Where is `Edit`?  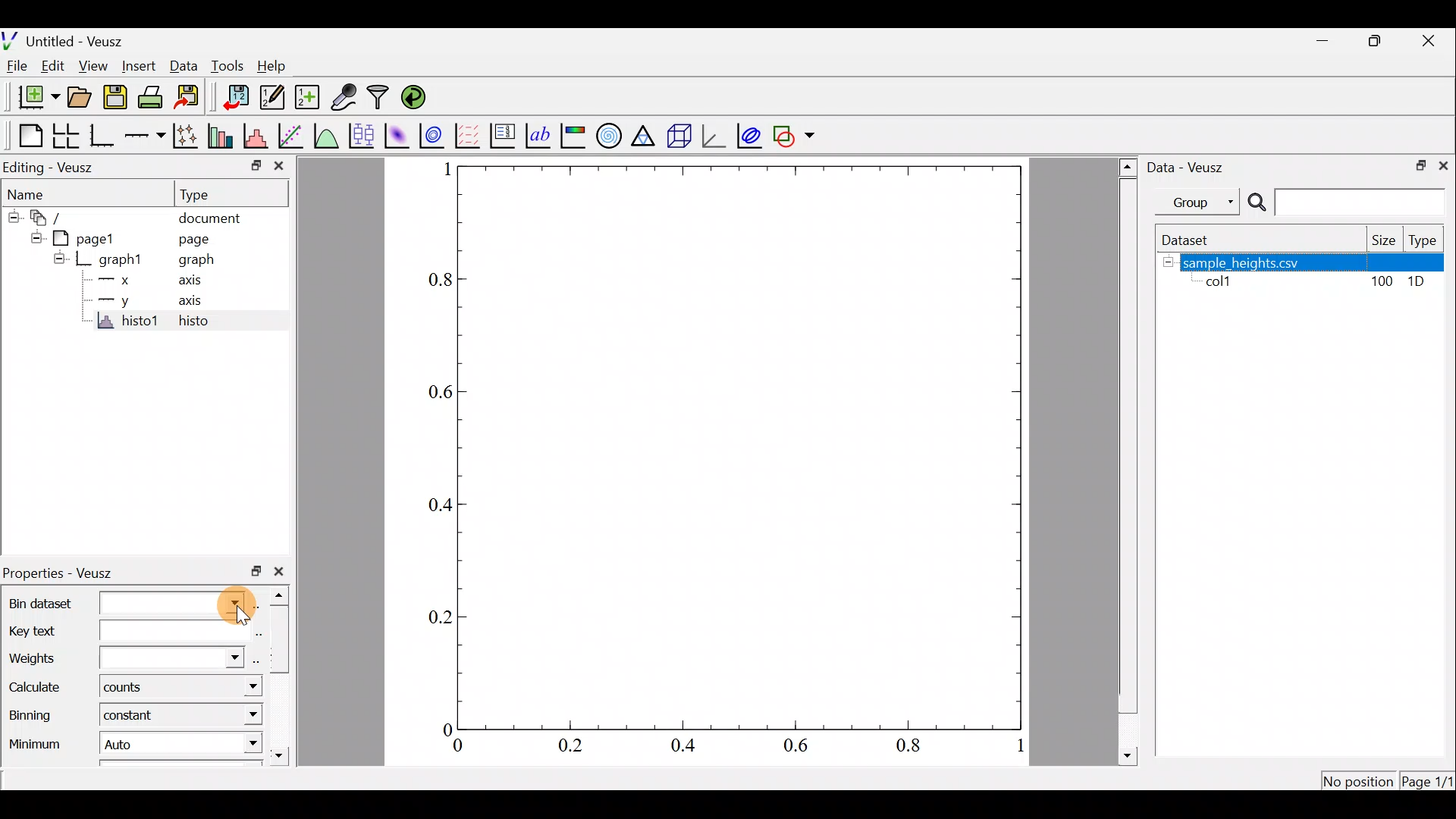
Edit is located at coordinates (52, 67).